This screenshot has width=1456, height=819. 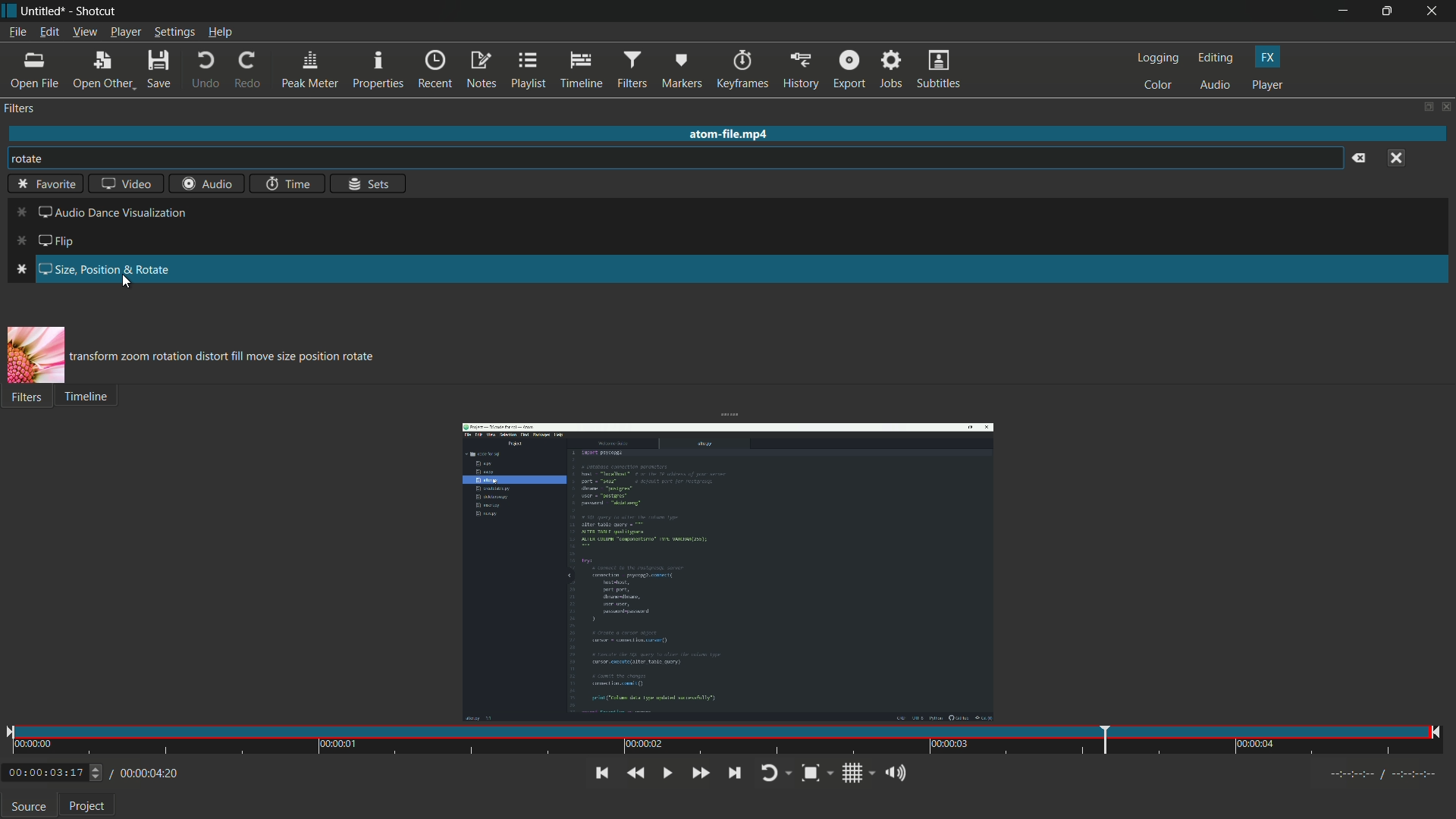 I want to click on quickly play backward, so click(x=638, y=773).